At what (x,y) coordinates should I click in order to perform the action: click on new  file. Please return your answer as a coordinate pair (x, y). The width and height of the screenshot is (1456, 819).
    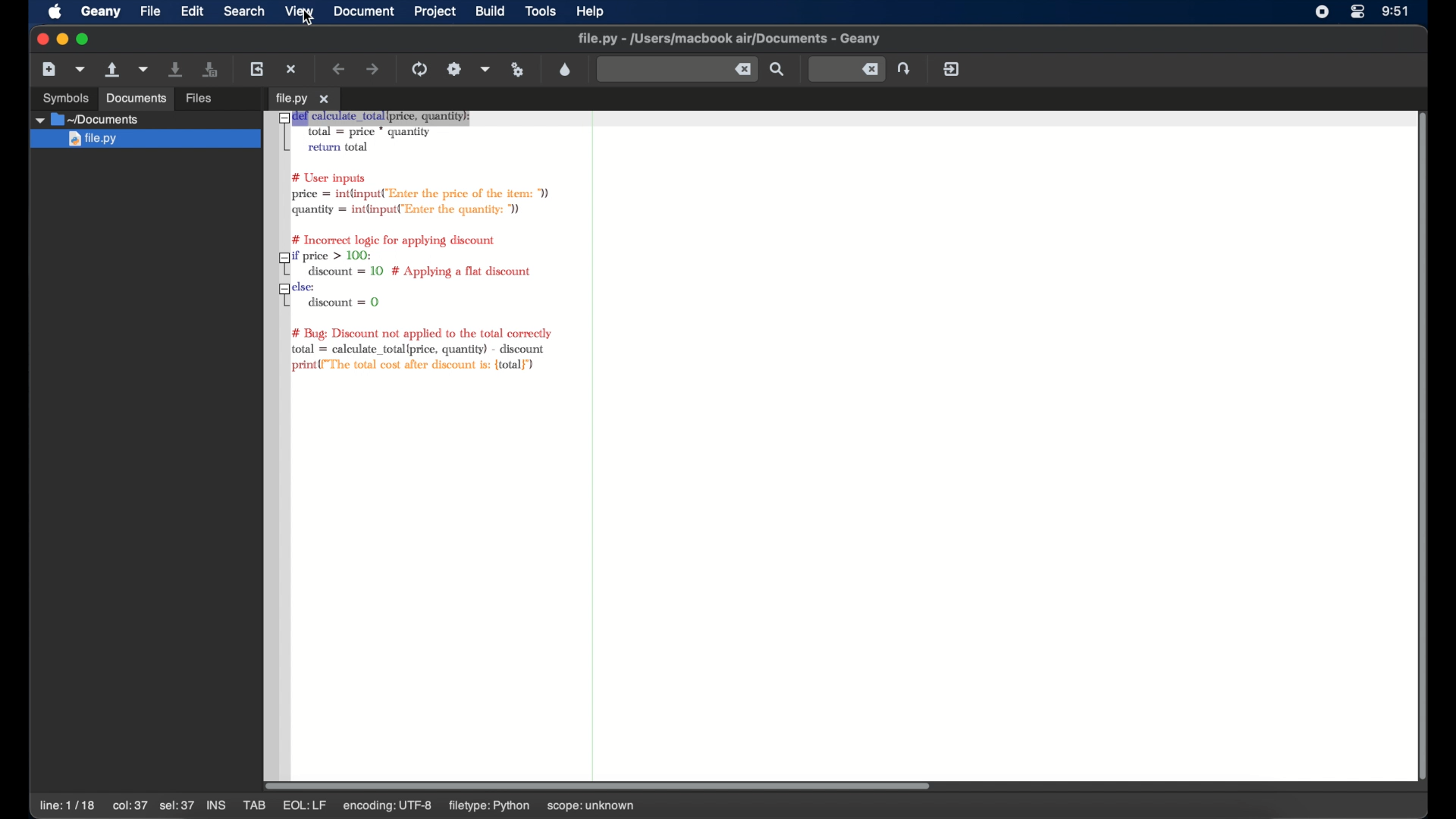
    Looking at the image, I should click on (49, 69).